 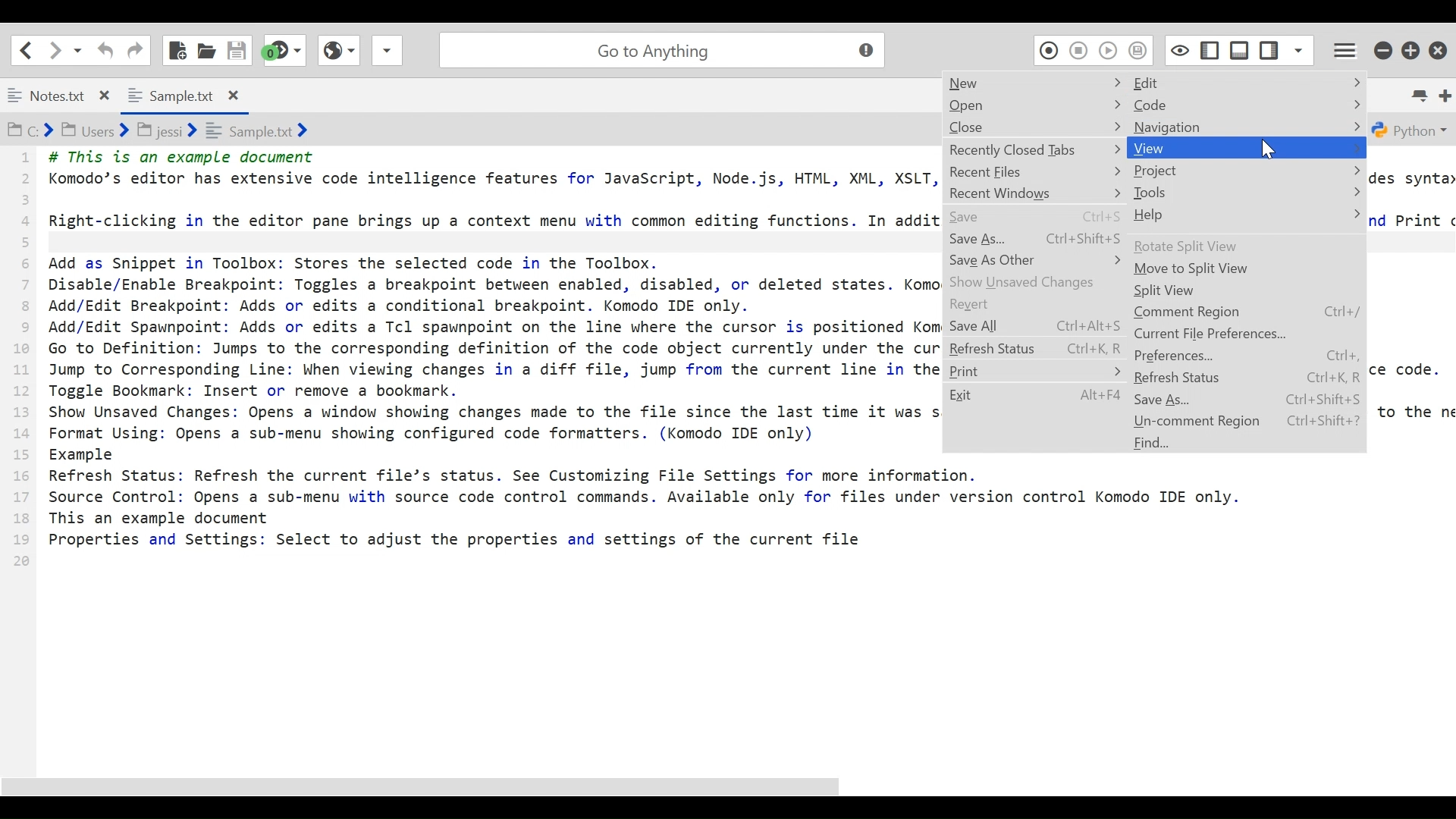 I want to click on List all tabs, so click(x=1418, y=93).